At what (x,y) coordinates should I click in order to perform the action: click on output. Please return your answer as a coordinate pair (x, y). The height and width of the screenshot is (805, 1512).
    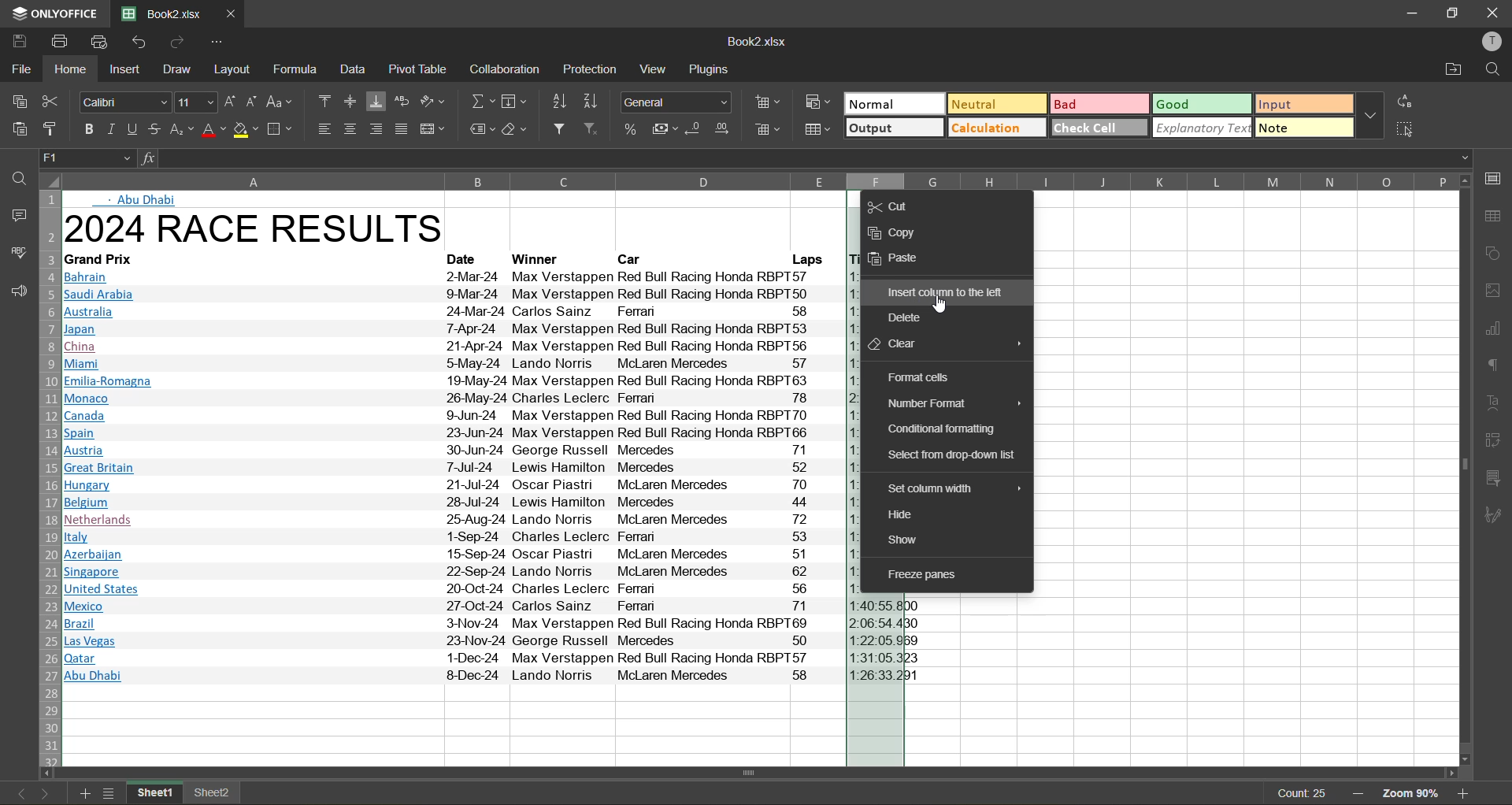
    Looking at the image, I should click on (894, 127).